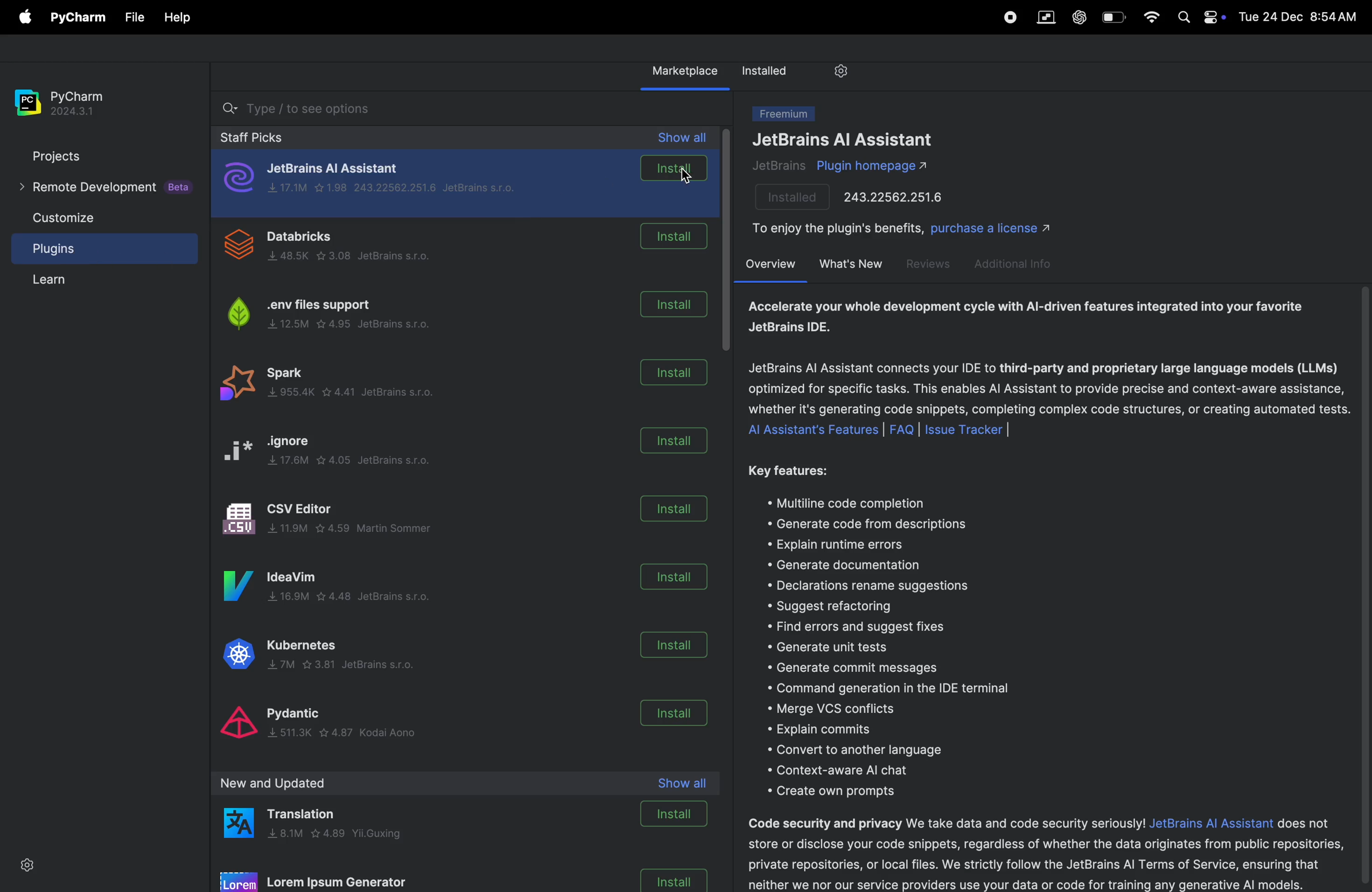 The image size is (1372, 892). What do you see at coordinates (684, 71) in the screenshot?
I see `market place` at bounding box center [684, 71].